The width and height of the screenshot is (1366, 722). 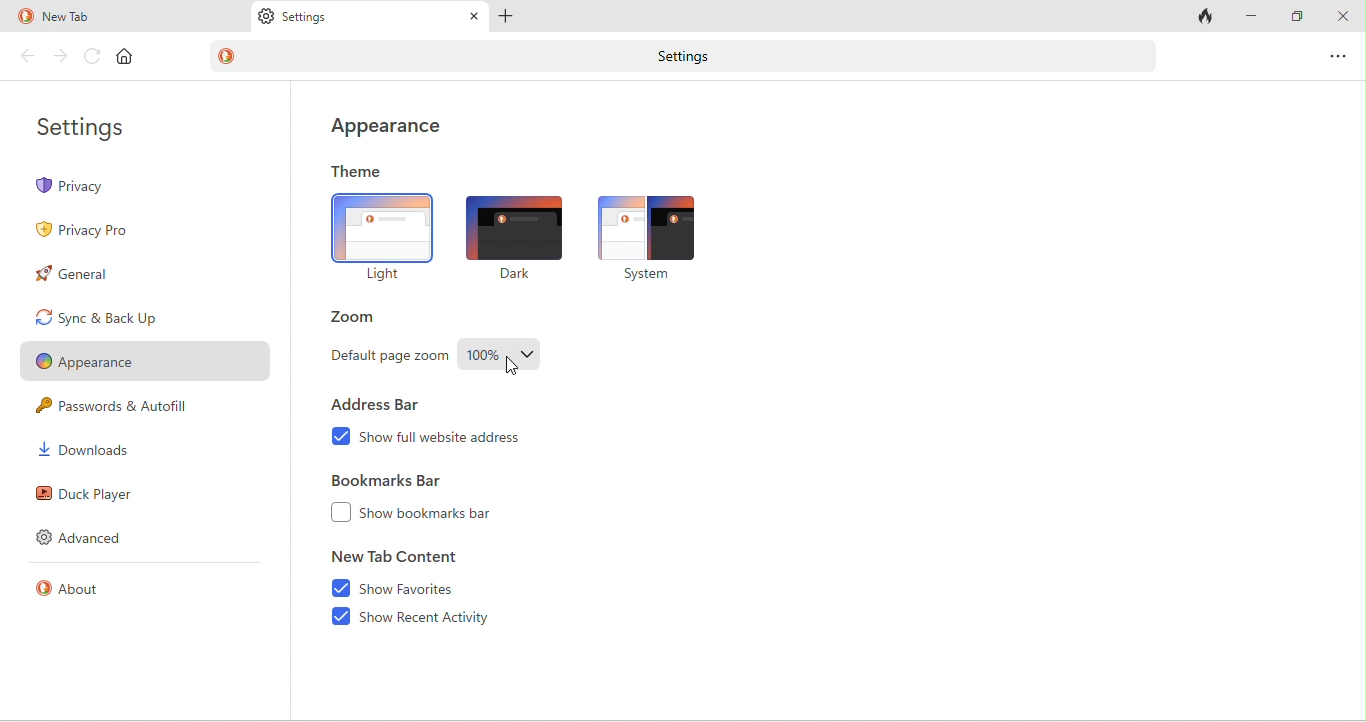 I want to click on close, so click(x=1343, y=18).